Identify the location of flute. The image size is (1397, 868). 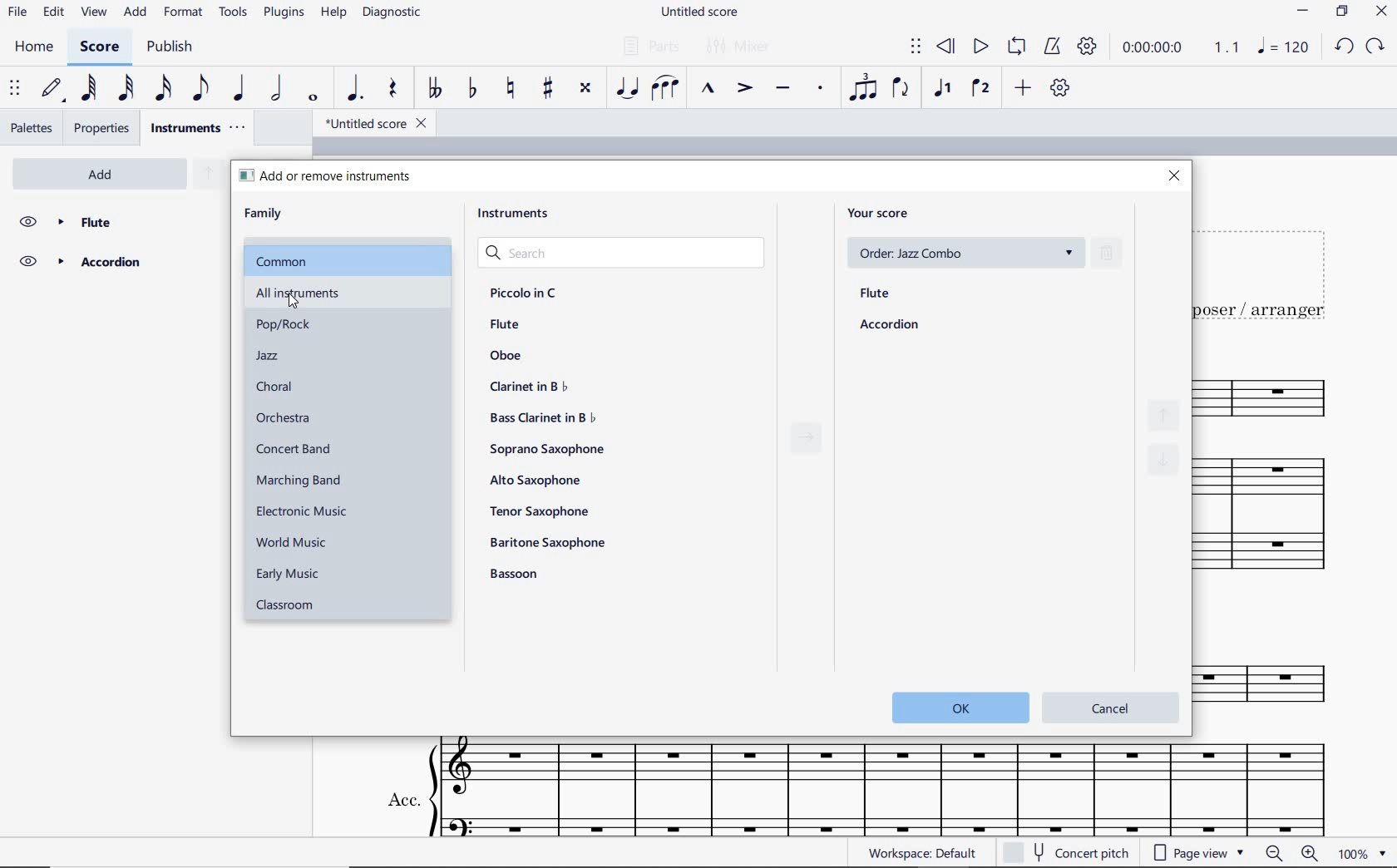
(506, 326).